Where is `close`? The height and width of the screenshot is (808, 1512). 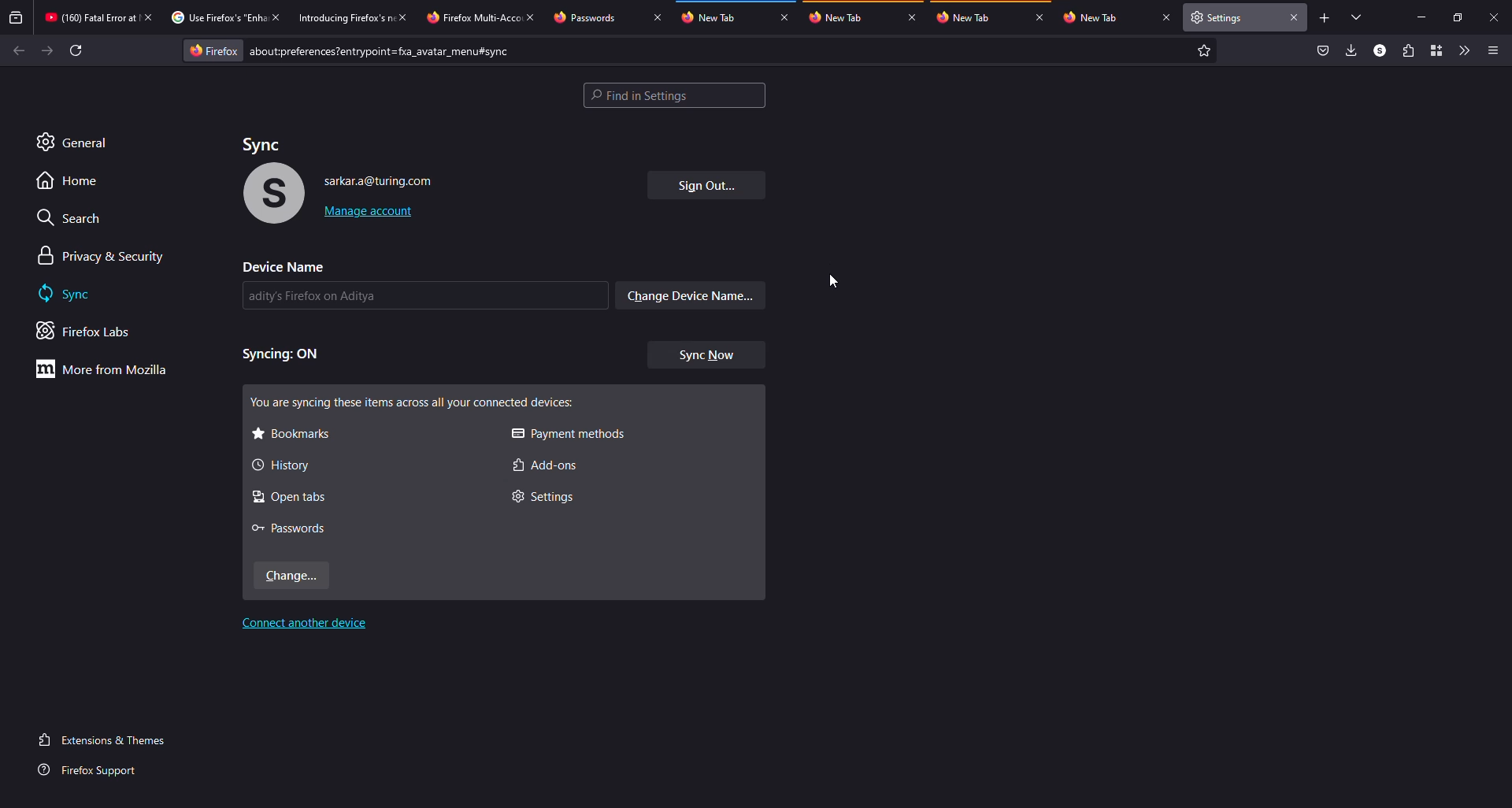 close is located at coordinates (278, 18).